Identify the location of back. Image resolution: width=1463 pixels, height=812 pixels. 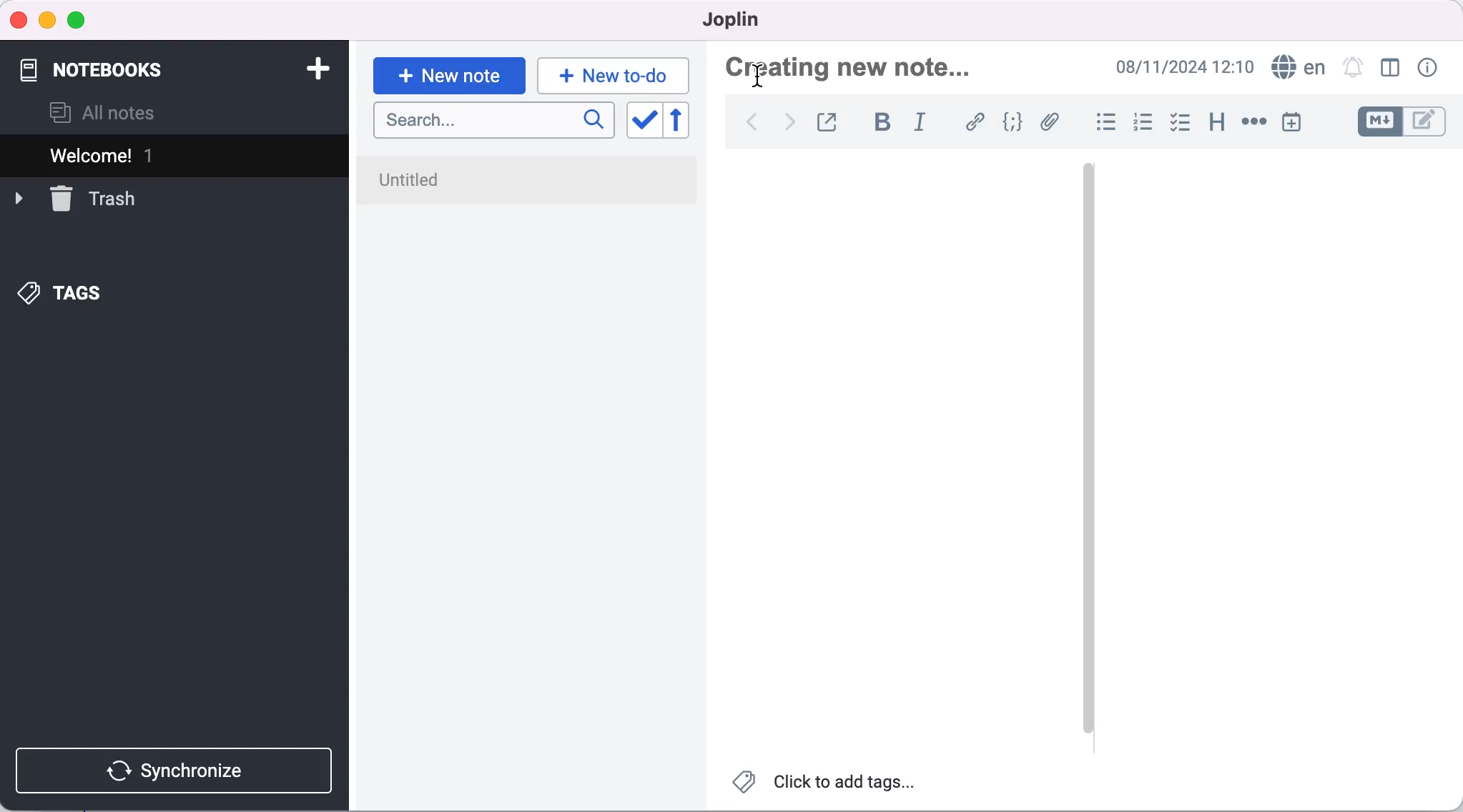
(754, 124).